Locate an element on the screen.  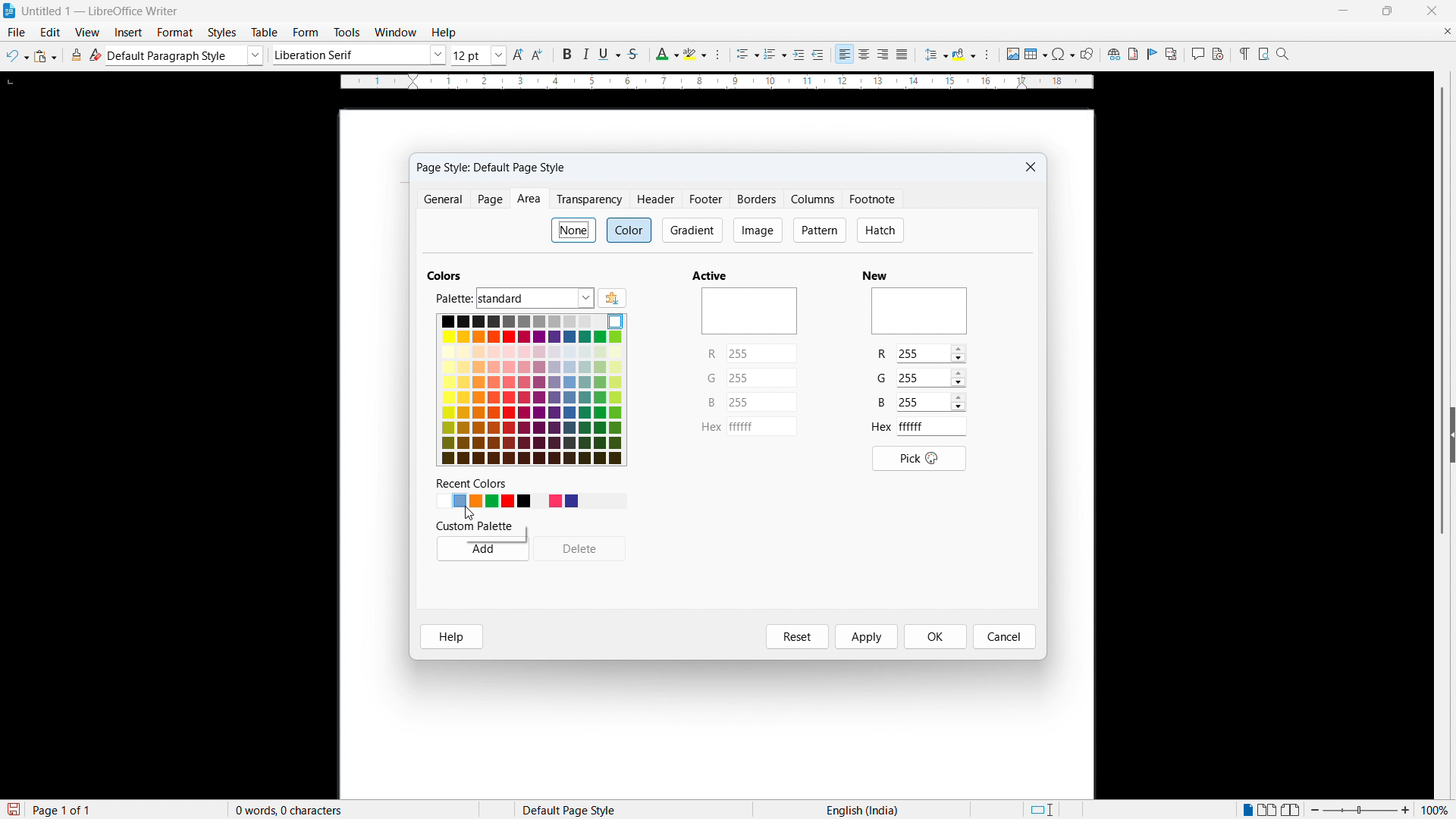
Image  is located at coordinates (759, 231).